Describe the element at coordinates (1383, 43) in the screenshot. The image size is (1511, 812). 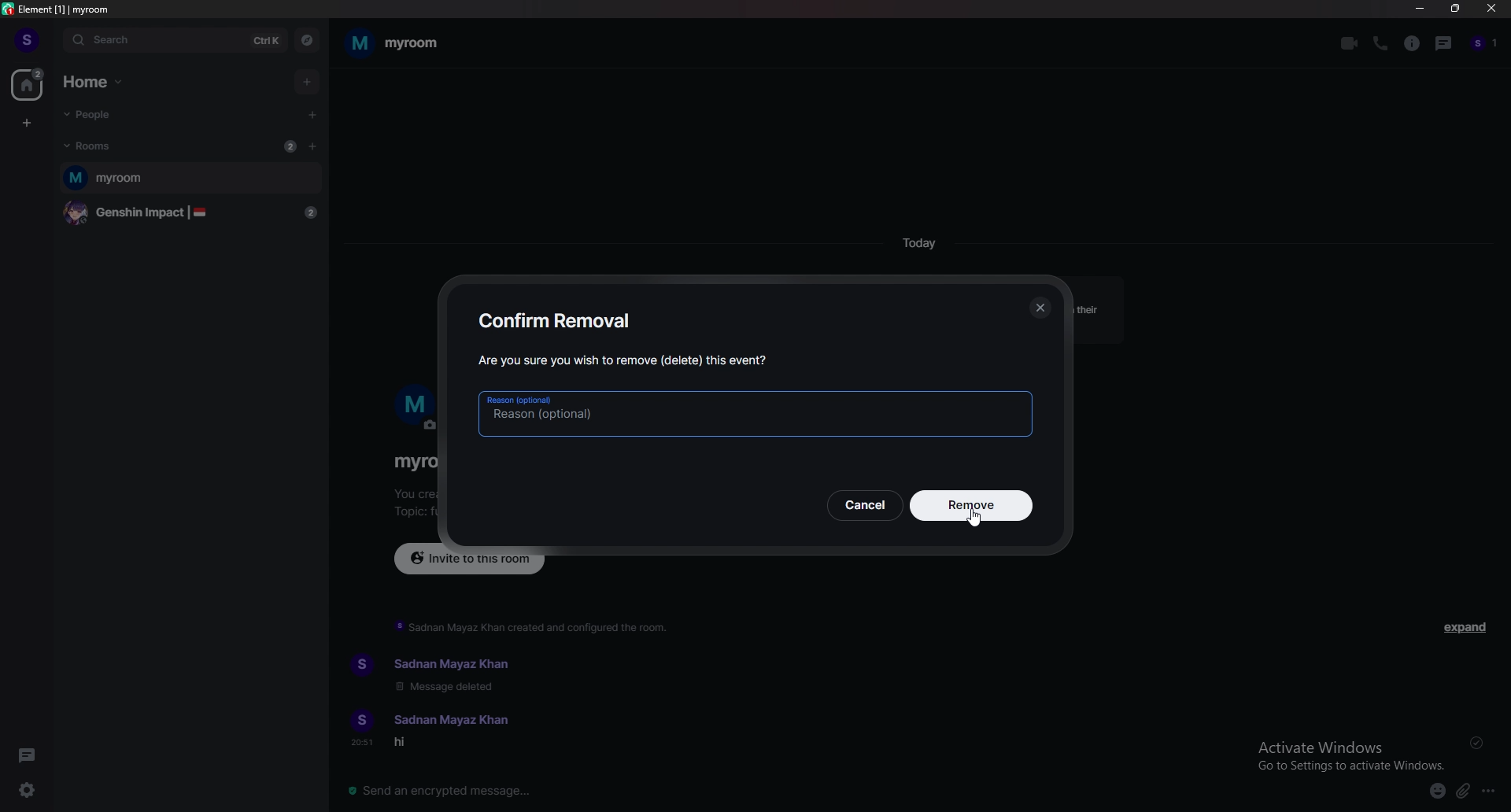
I see `voice call` at that location.